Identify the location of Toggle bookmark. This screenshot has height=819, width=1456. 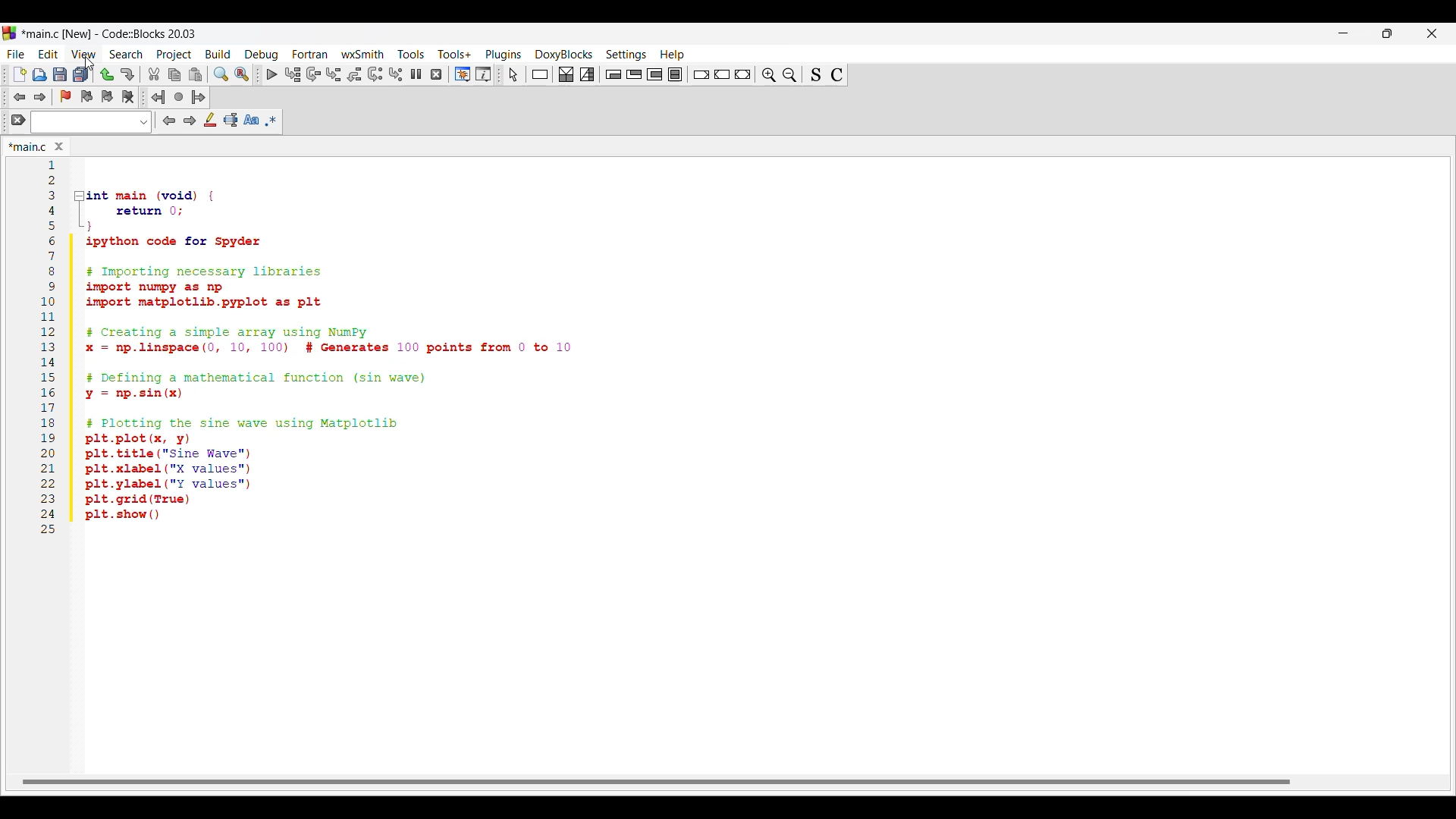
(65, 96).